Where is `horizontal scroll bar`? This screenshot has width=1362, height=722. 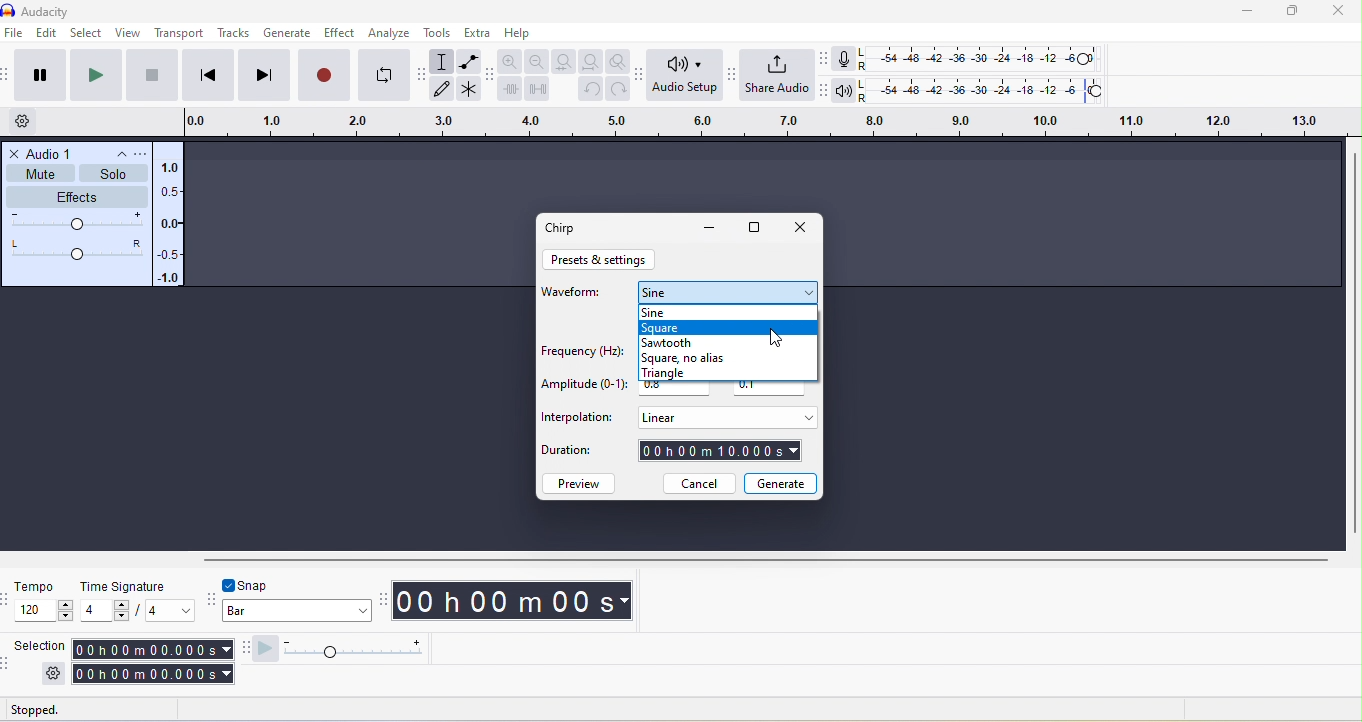
horizontal scroll bar is located at coordinates (765, 558).